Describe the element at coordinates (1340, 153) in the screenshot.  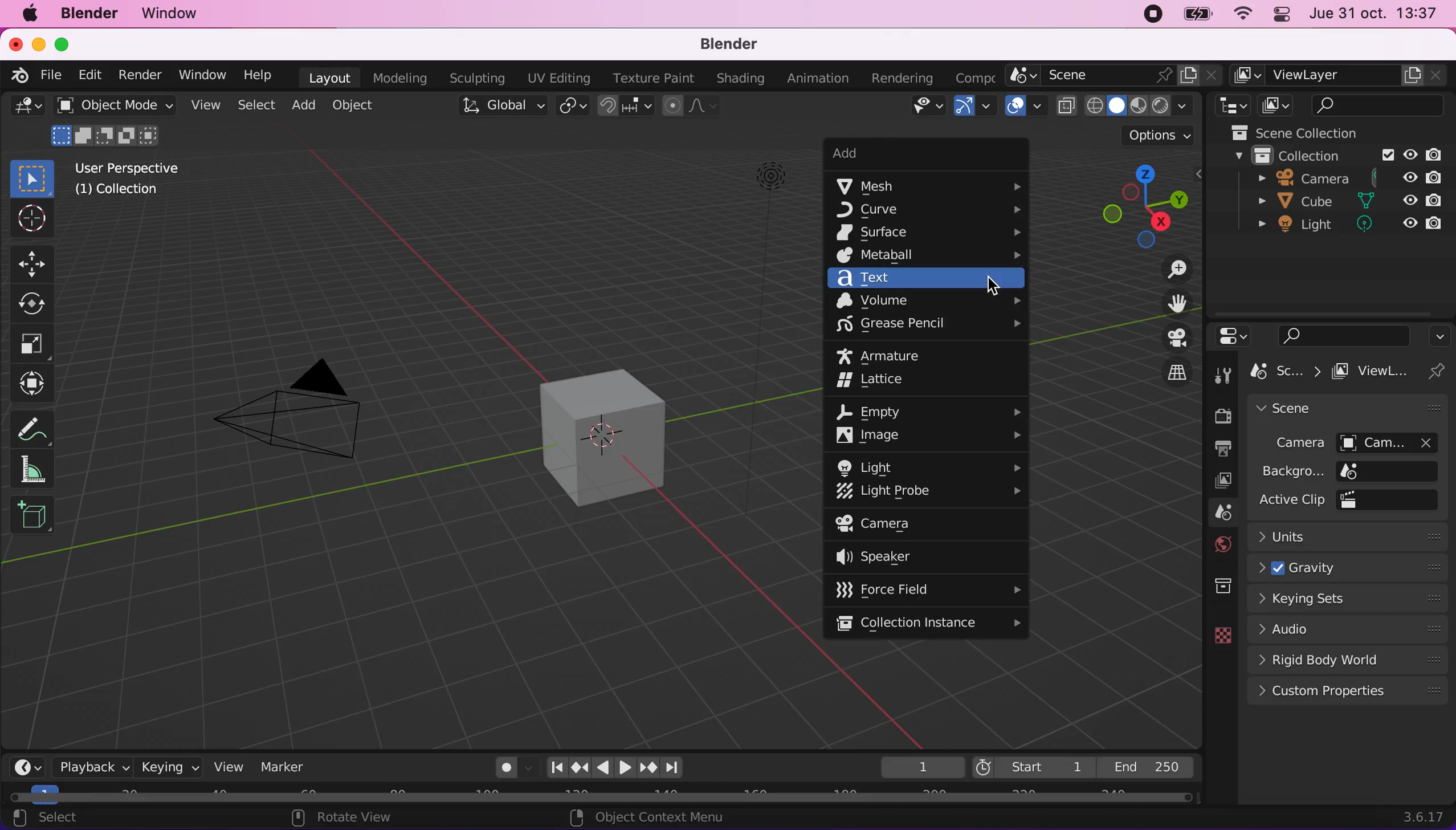
I see `collection` at that location.